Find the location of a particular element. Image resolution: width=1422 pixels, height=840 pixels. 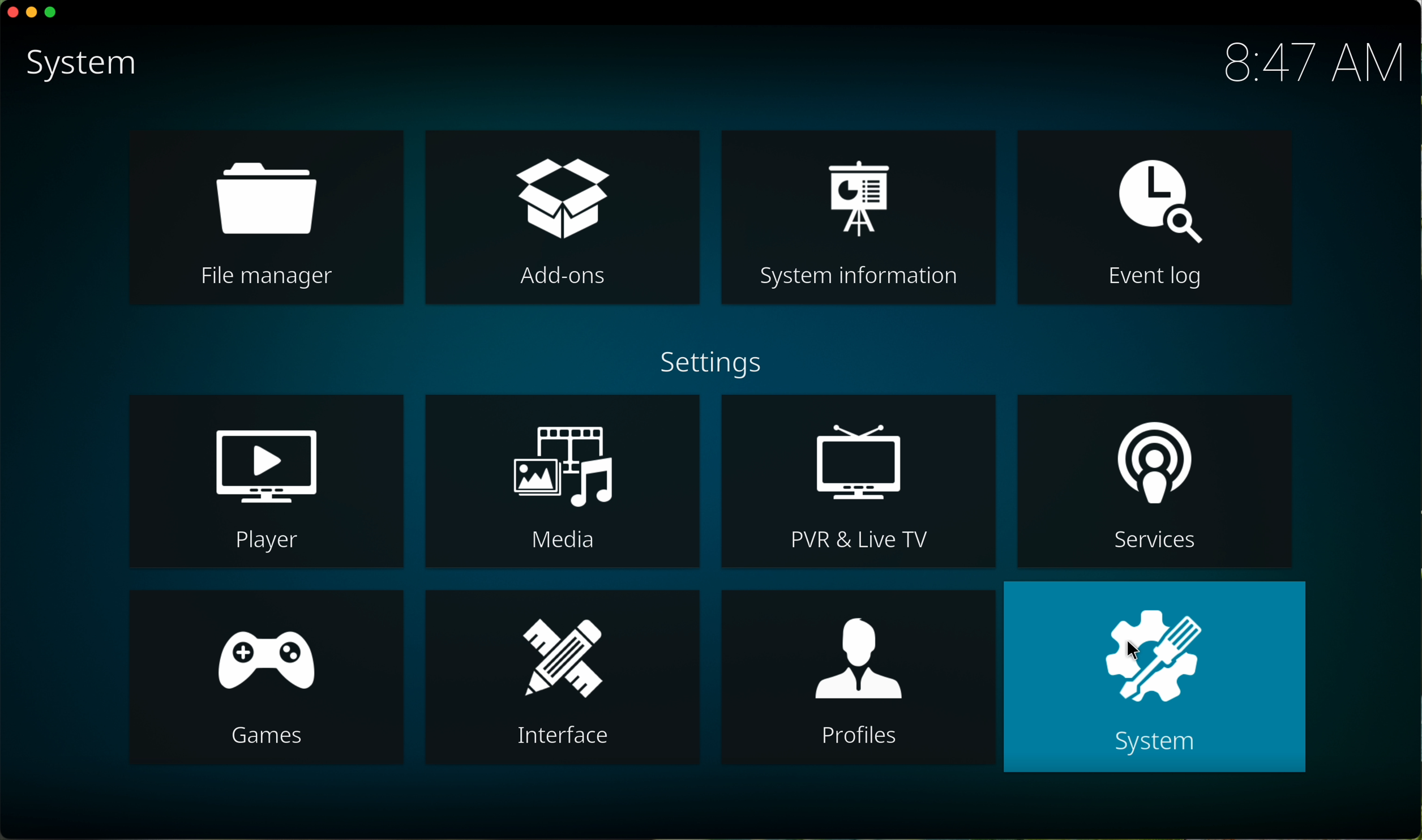

player is located at coordinates (271, 481).